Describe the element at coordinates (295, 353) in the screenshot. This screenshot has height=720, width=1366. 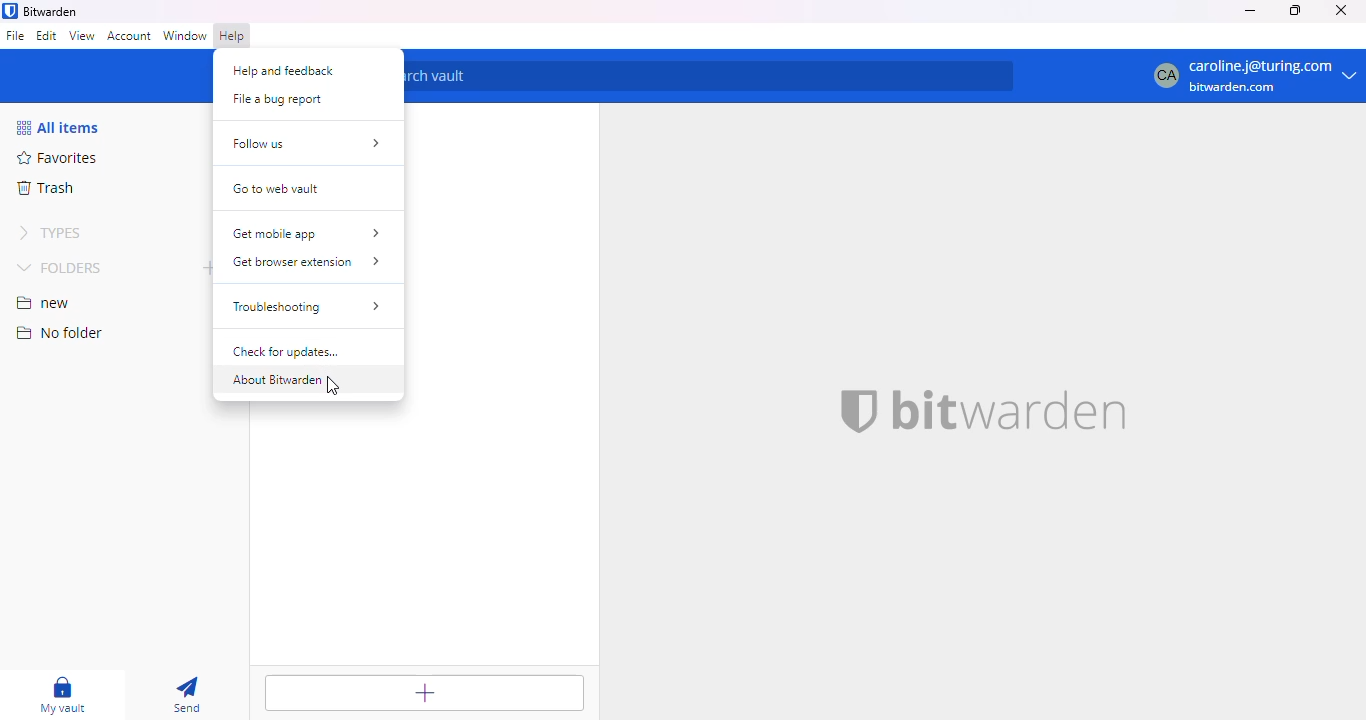
I see `Check for updates...` at that location.